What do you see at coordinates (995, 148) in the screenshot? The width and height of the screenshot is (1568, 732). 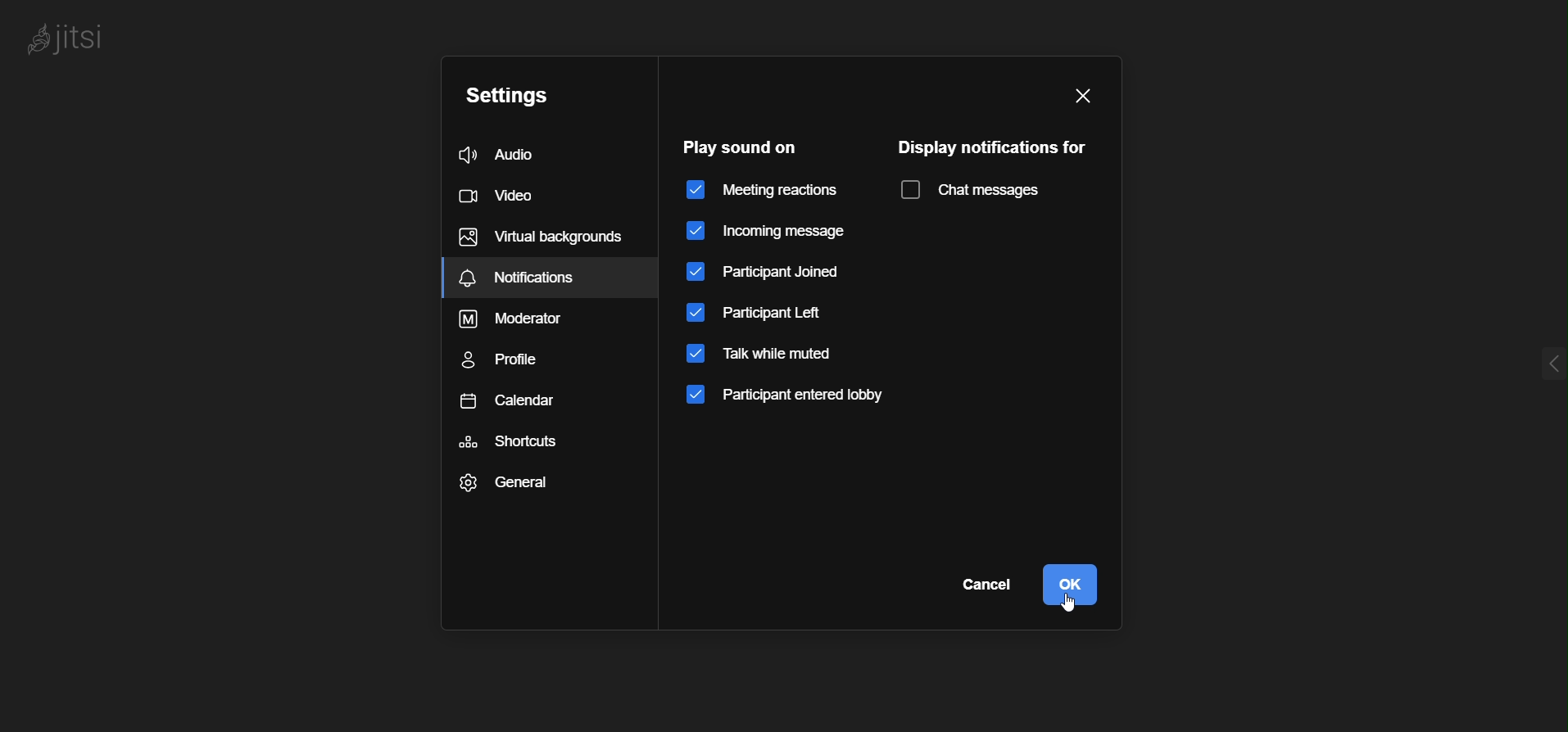 I see `display notification for` at bounding box center [995, 148].